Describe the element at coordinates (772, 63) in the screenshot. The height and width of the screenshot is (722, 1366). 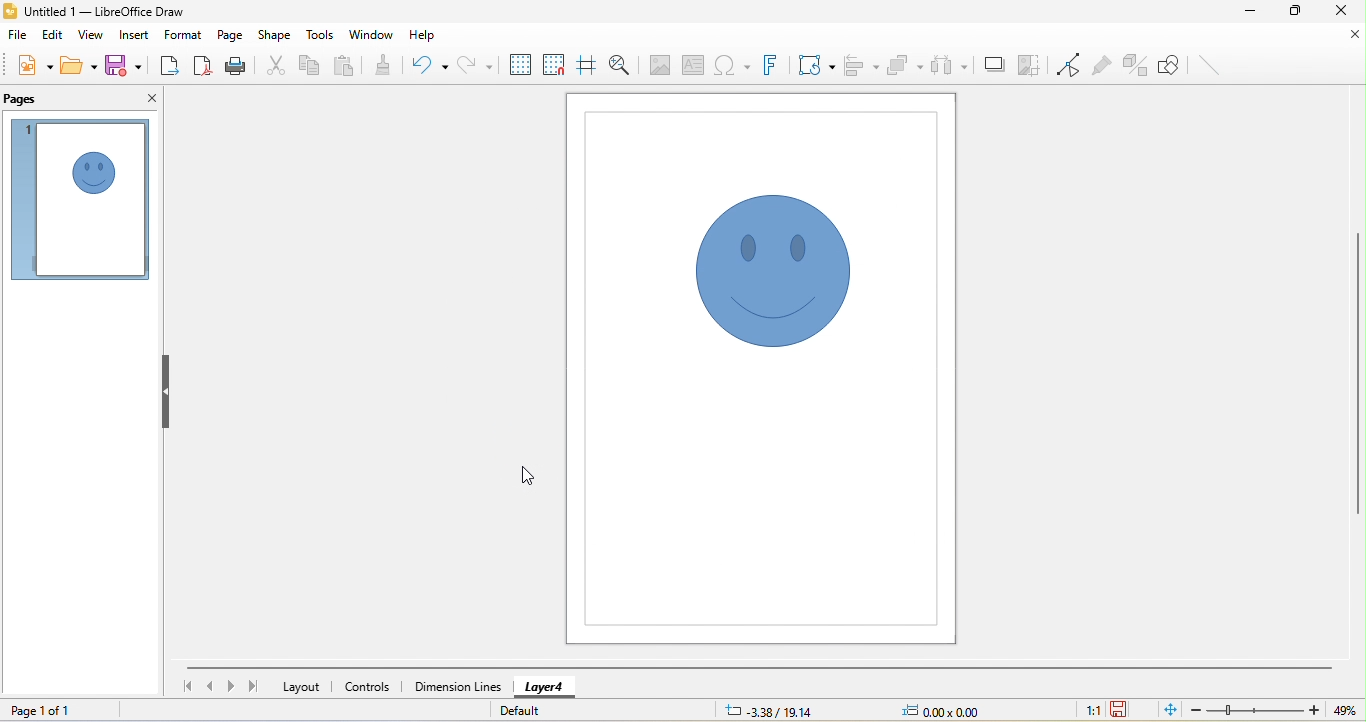
I see `font work text` at that location.